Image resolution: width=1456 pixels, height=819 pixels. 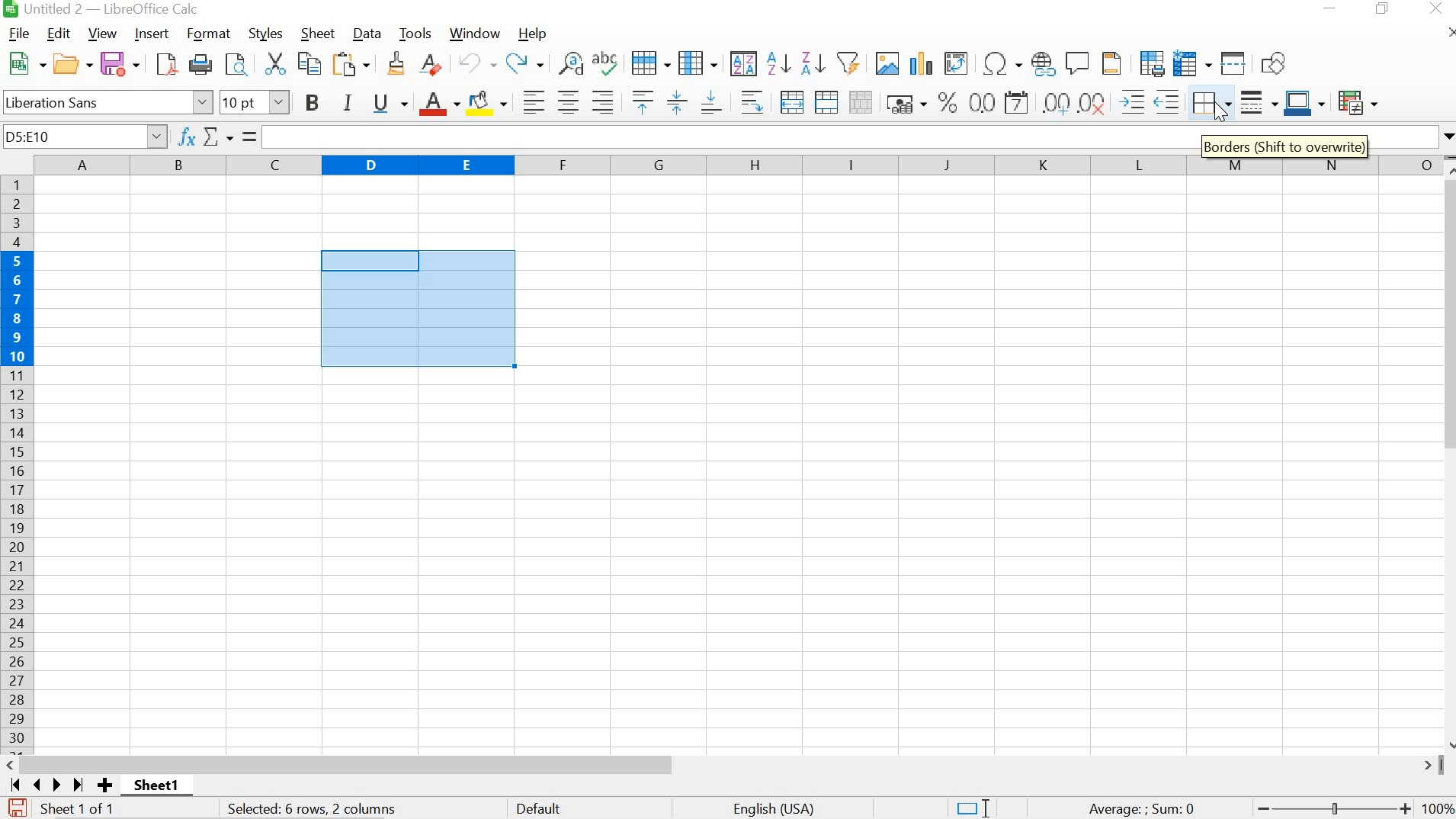 What do you see at coordinates (825, 101) in the screenshot?
I see `merge cells` at bounding box center [825, 101].